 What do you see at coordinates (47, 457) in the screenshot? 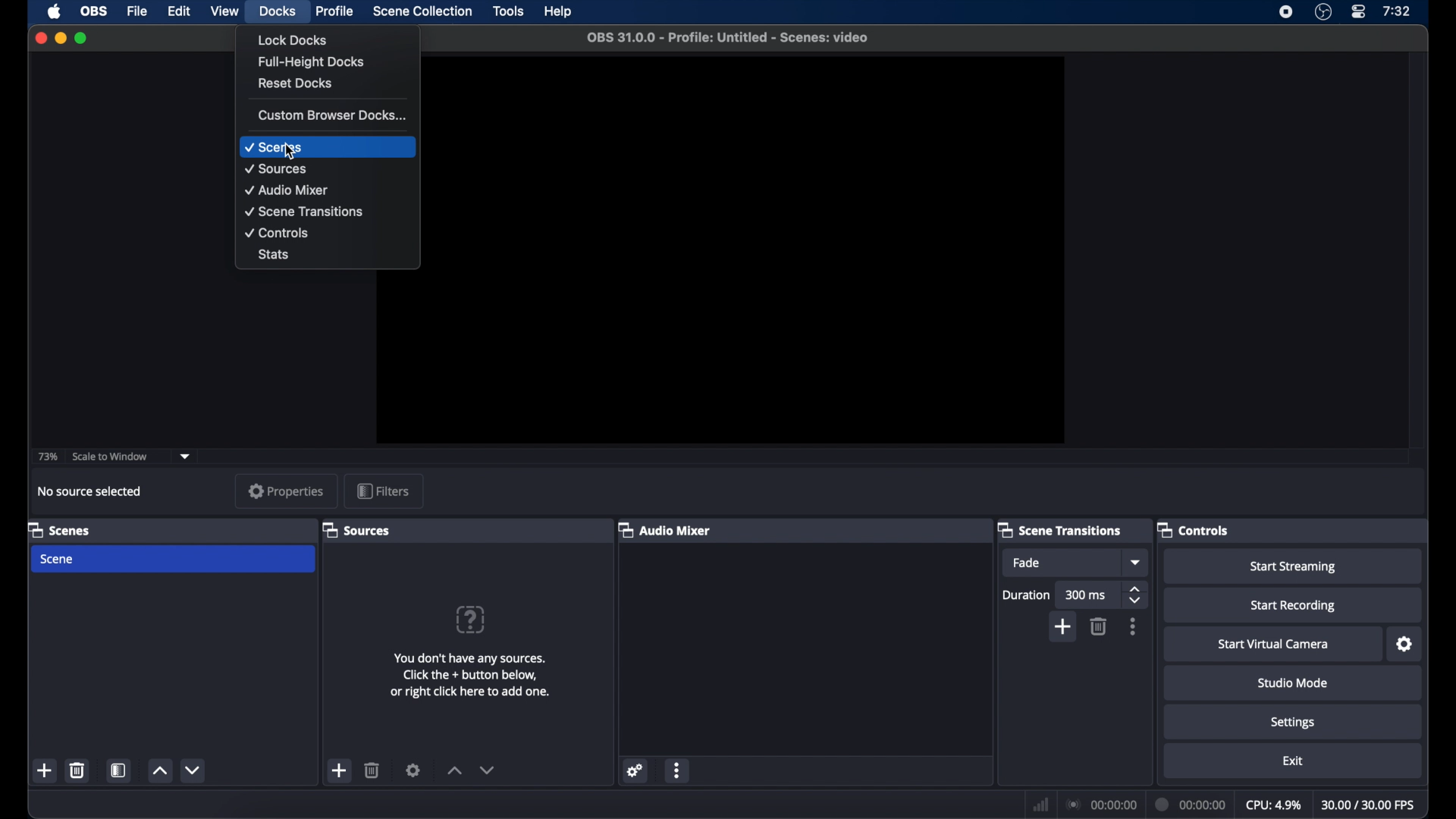
I see `73%` at bounding box center [47, 457].